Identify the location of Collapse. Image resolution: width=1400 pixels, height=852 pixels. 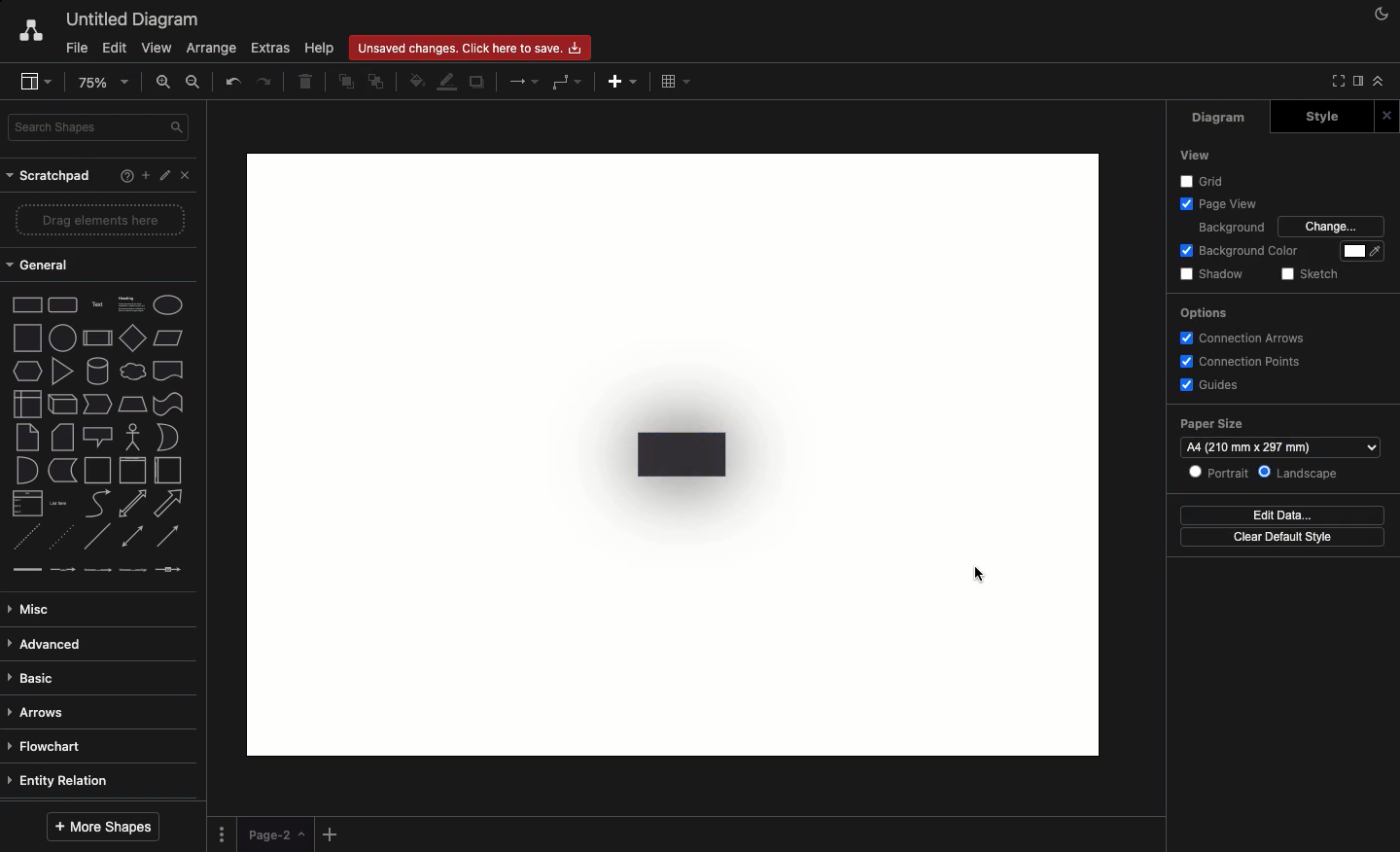
(1378, 82).